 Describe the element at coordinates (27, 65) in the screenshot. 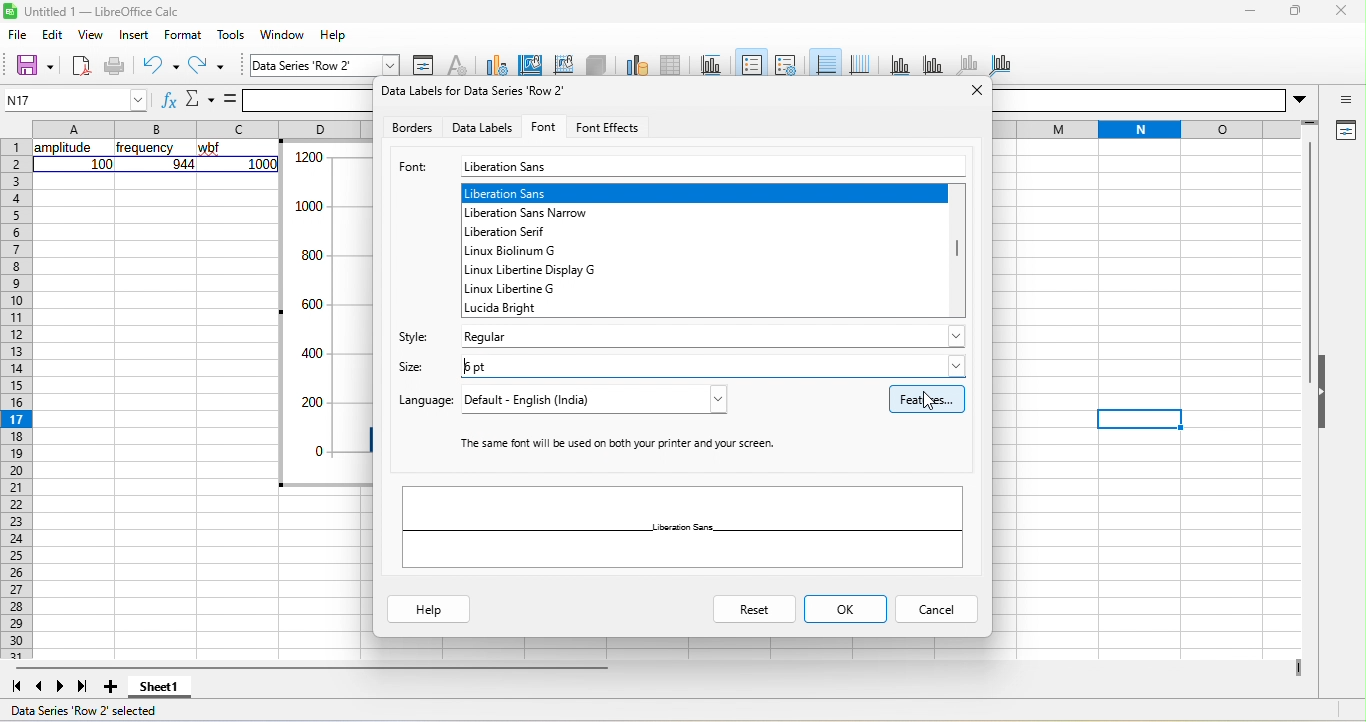

I see `save` at that location.